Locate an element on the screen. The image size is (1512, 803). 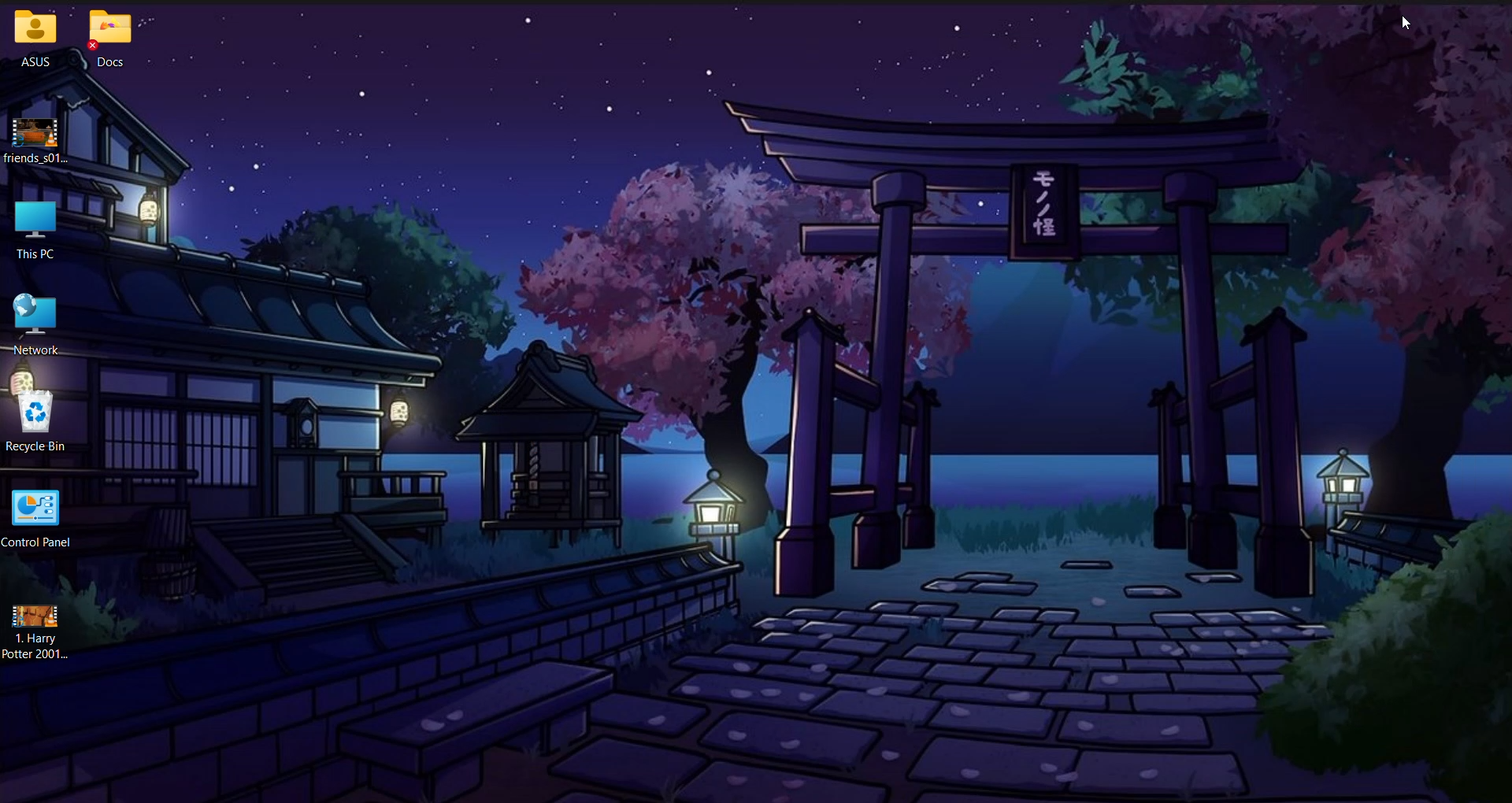
Cursor is located at coordinates (1406, 23).